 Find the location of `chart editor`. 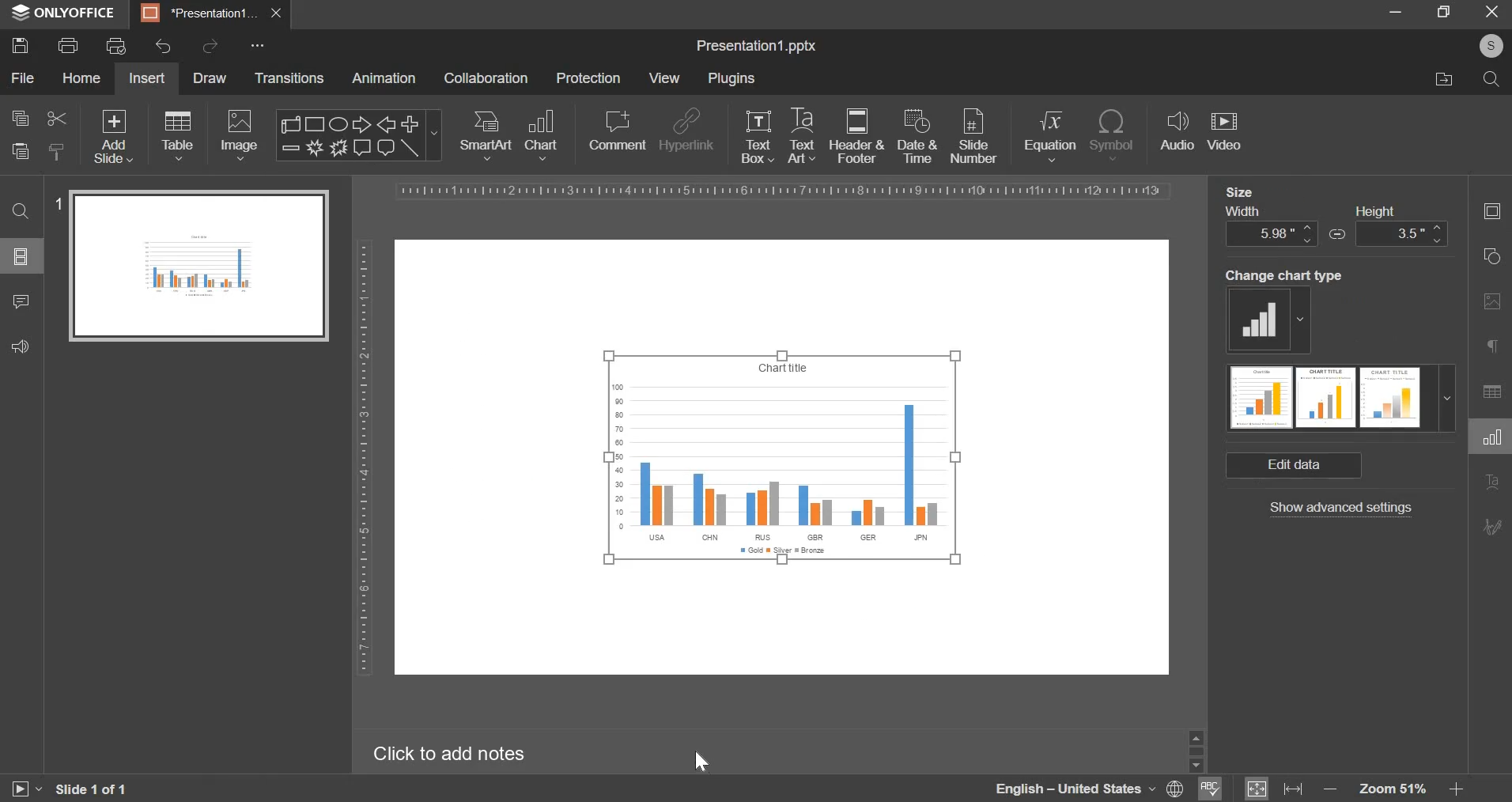

chart editor is located at coordinates (754, 47).